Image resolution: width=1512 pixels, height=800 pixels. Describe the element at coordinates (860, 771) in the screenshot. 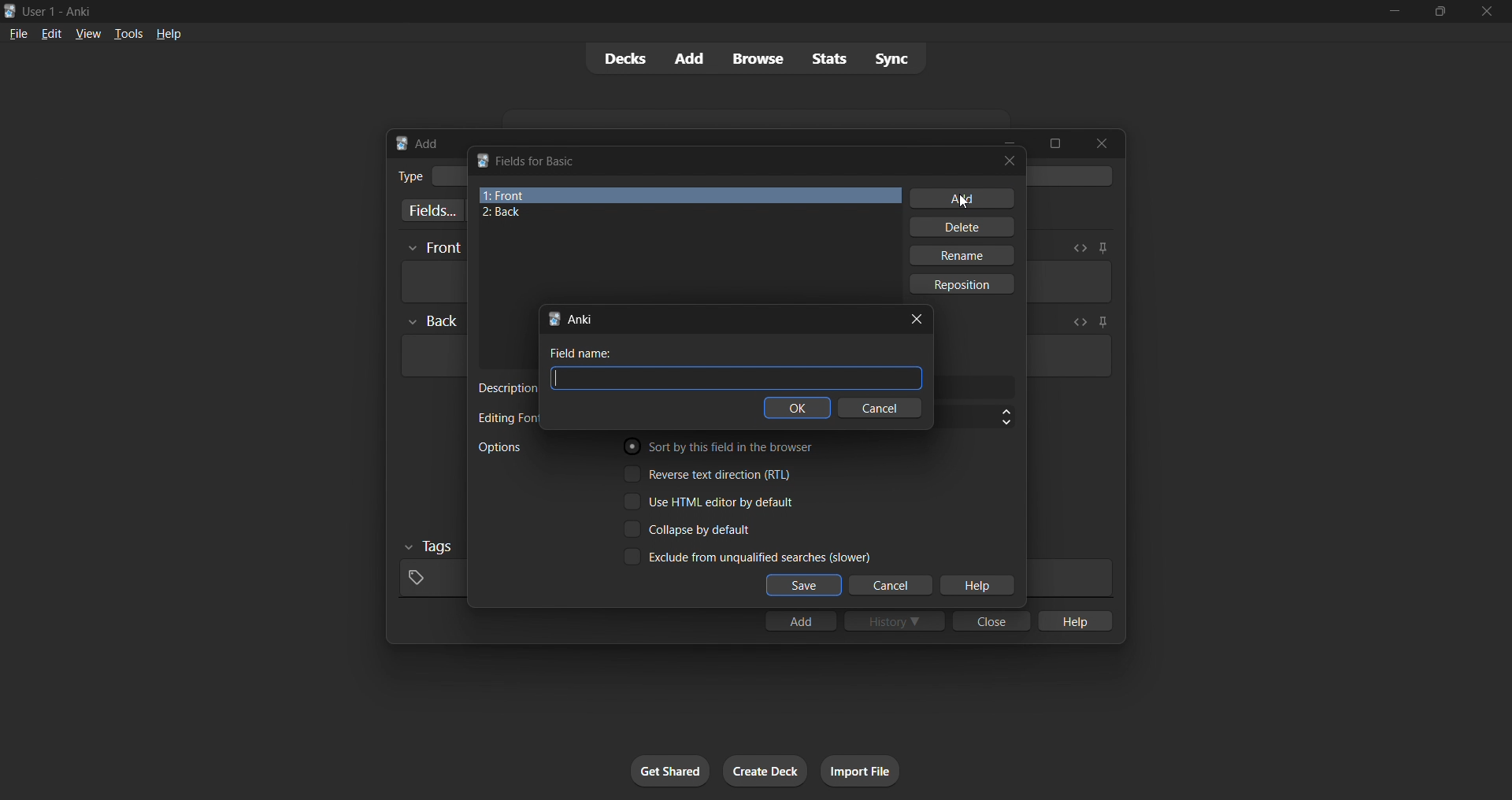

I see `import file` at that location.